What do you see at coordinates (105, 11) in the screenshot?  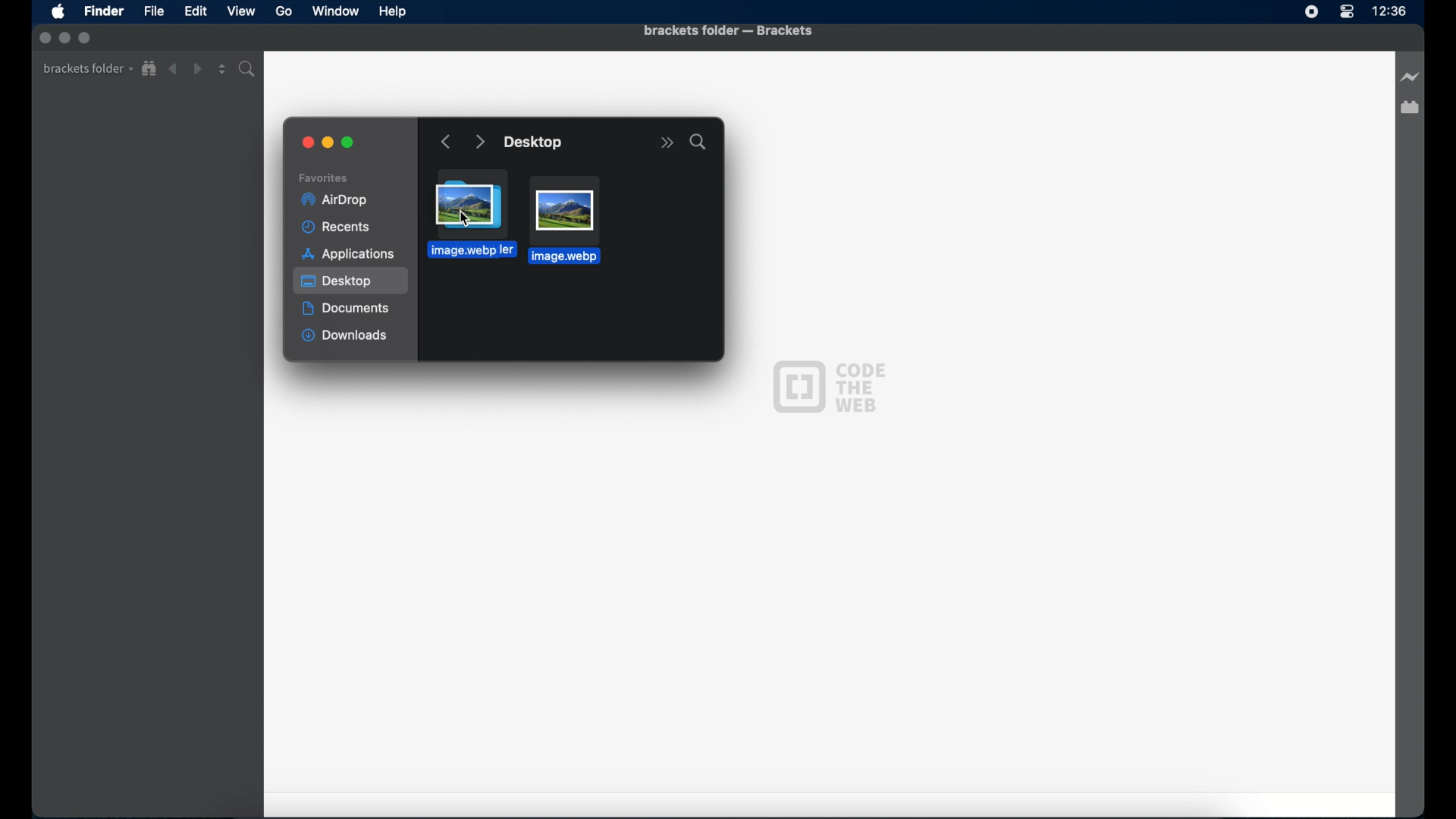 I see `Finder` at bounding box center [105, 11].